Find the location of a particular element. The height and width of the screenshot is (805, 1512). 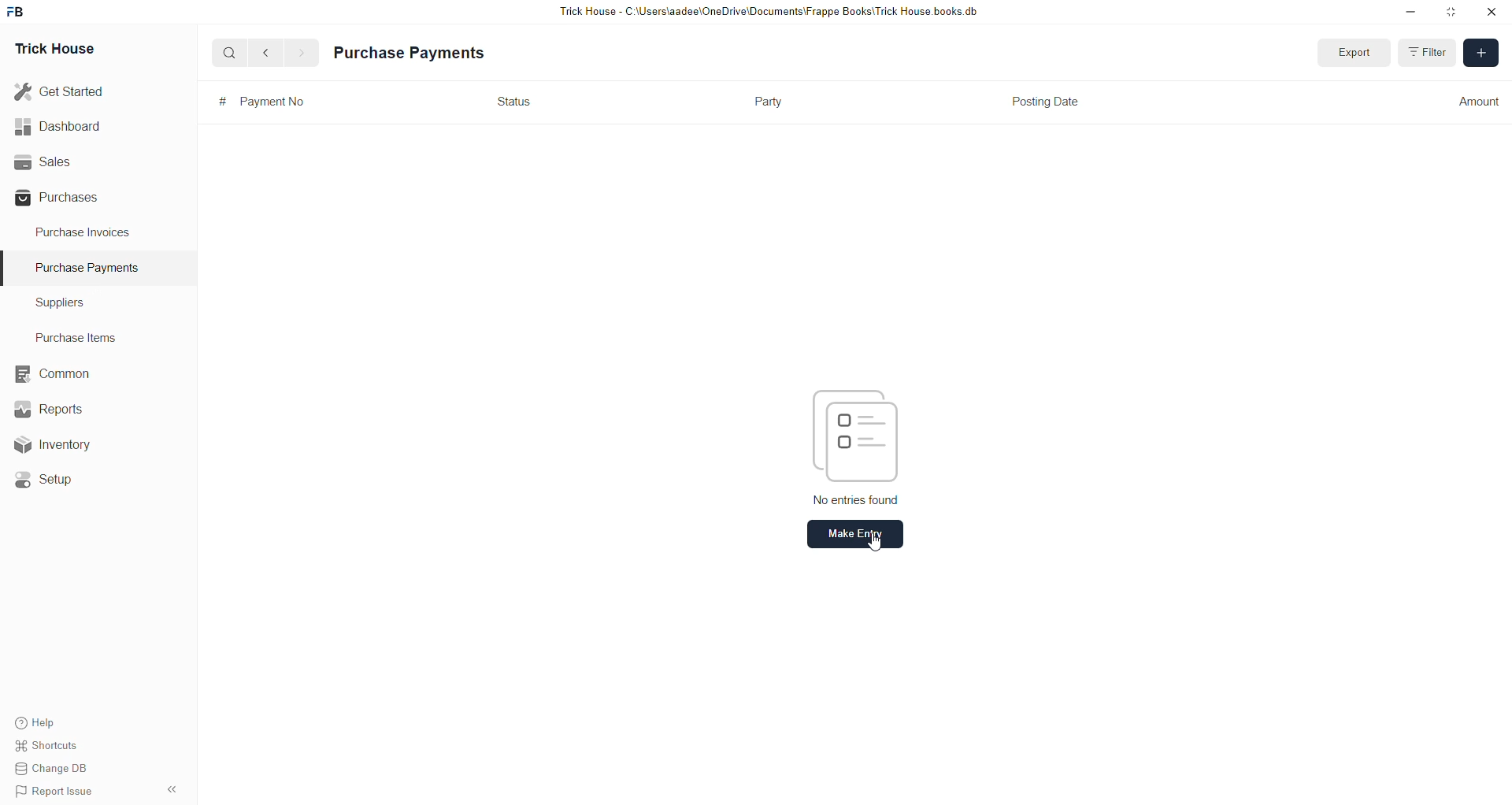

Posting Date is located at coordinates (1054, 103).